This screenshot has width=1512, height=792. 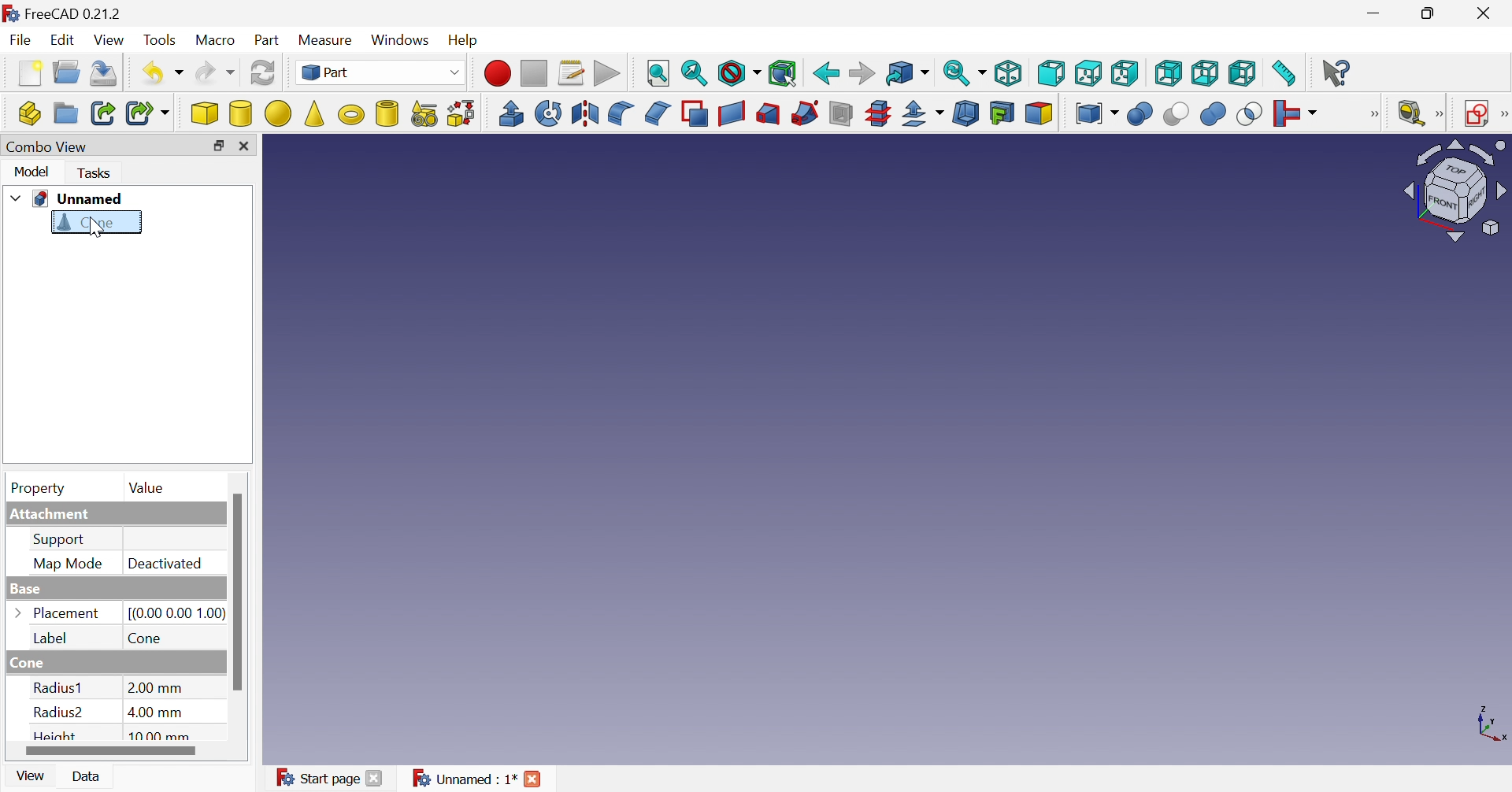 I want to click on 10.00 mm, so click(x=159, y=735).